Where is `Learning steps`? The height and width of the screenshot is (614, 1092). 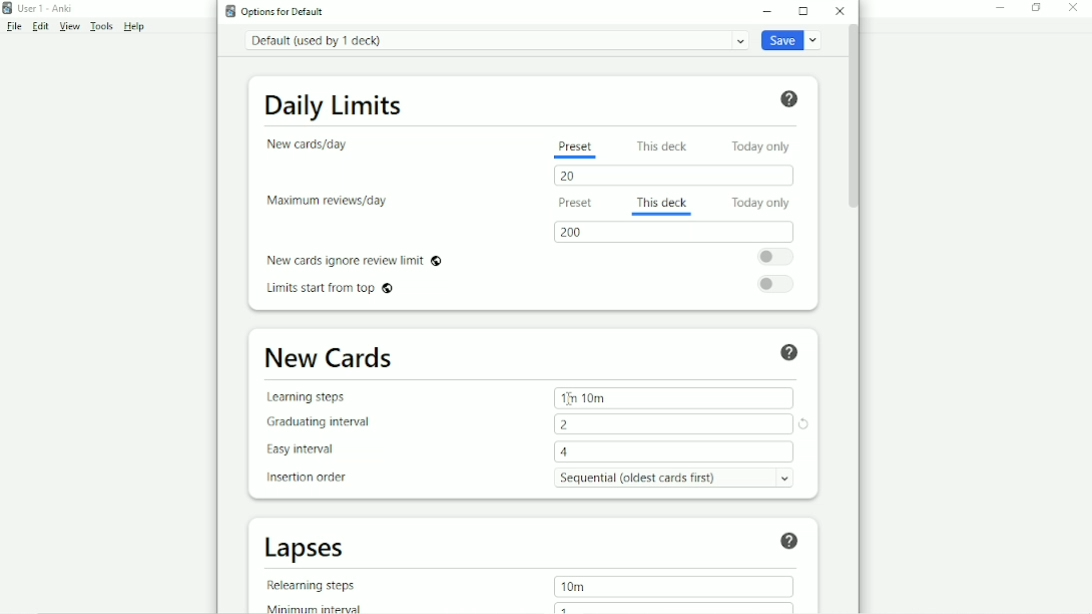
Learning steps is located at coordinates (308, 399).